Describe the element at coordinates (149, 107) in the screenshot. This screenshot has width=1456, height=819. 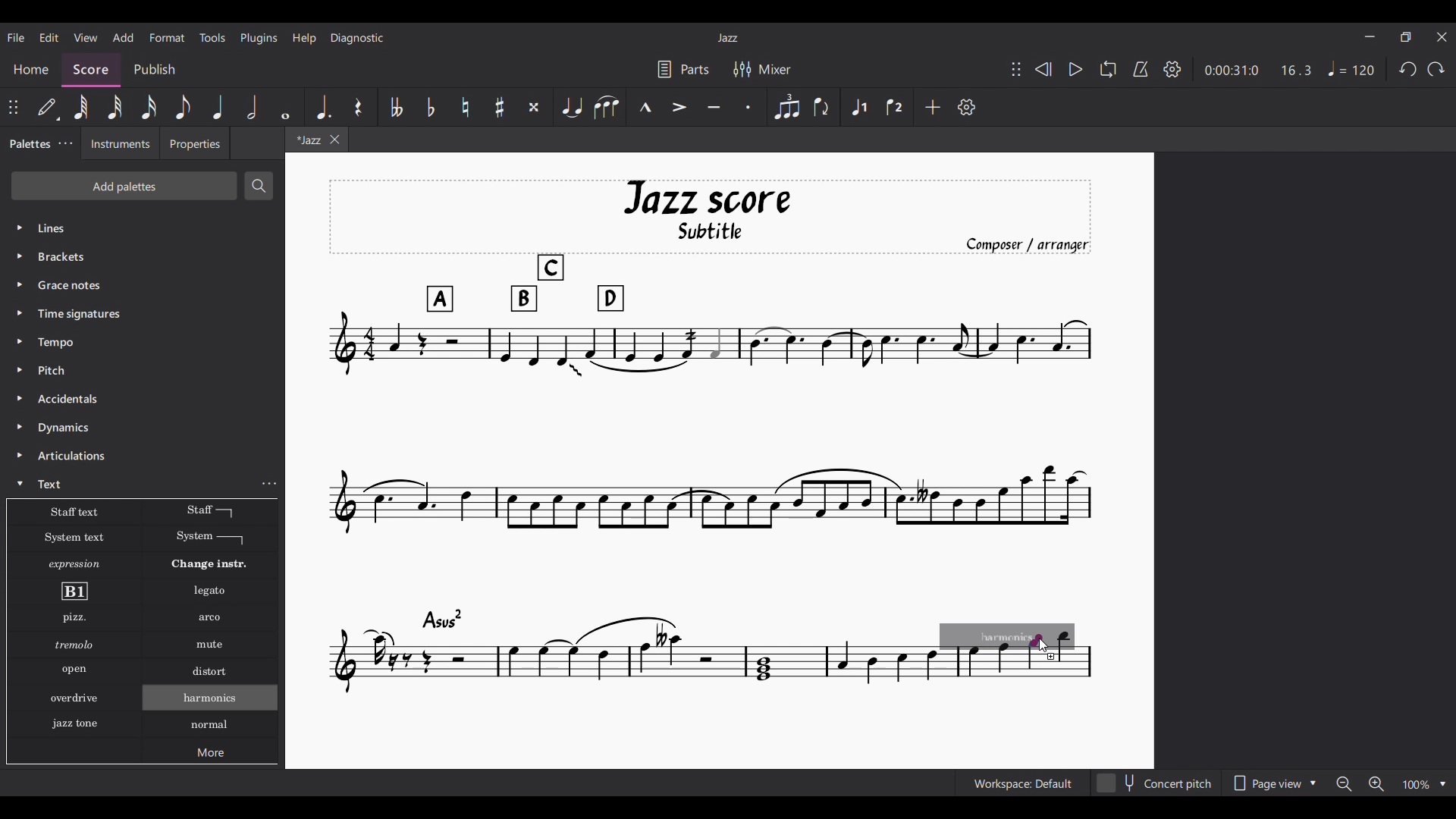
I see `16th note` at that location.